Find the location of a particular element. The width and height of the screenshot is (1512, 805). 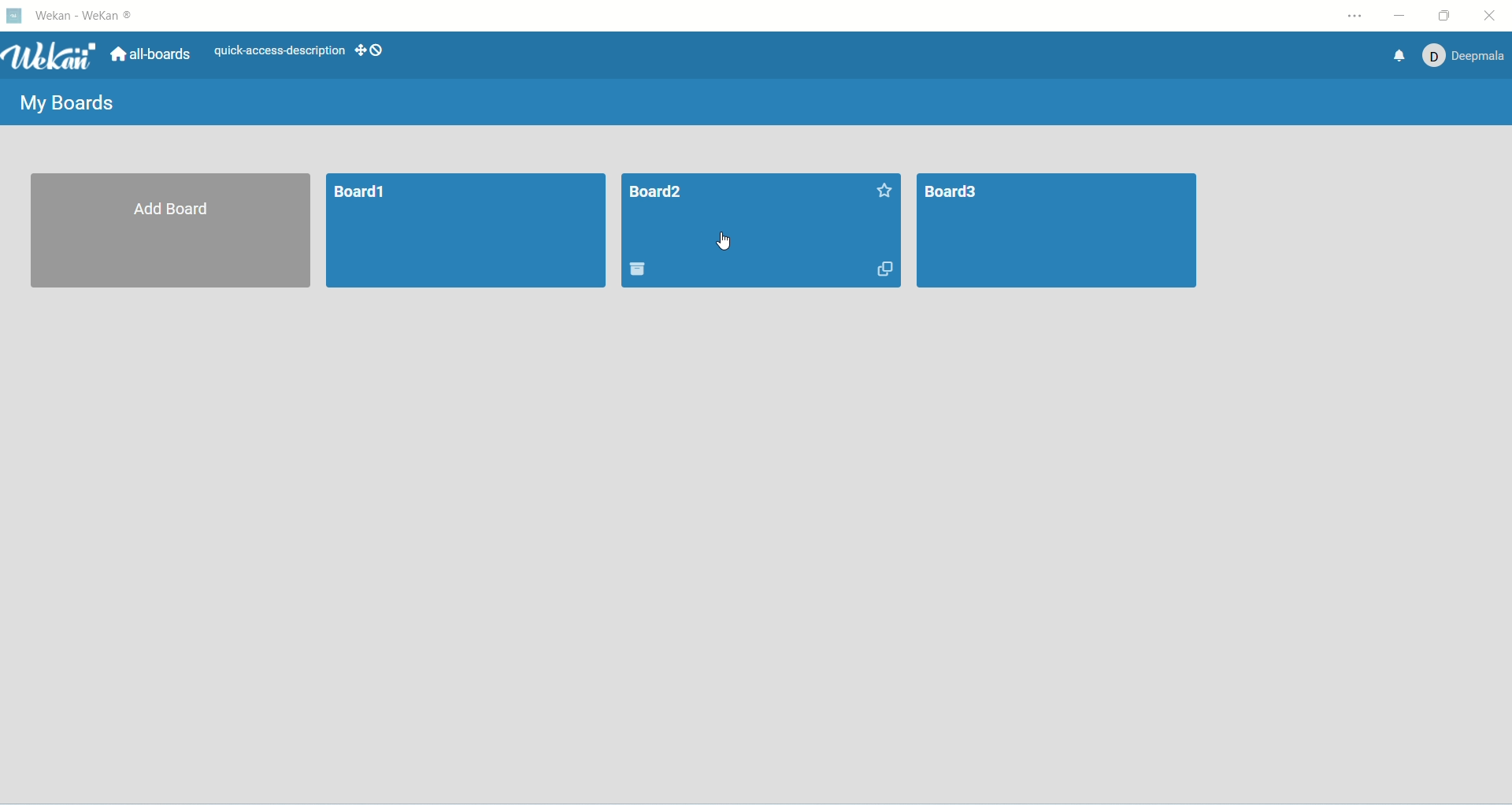

account is located at coordinates (1464, 56).